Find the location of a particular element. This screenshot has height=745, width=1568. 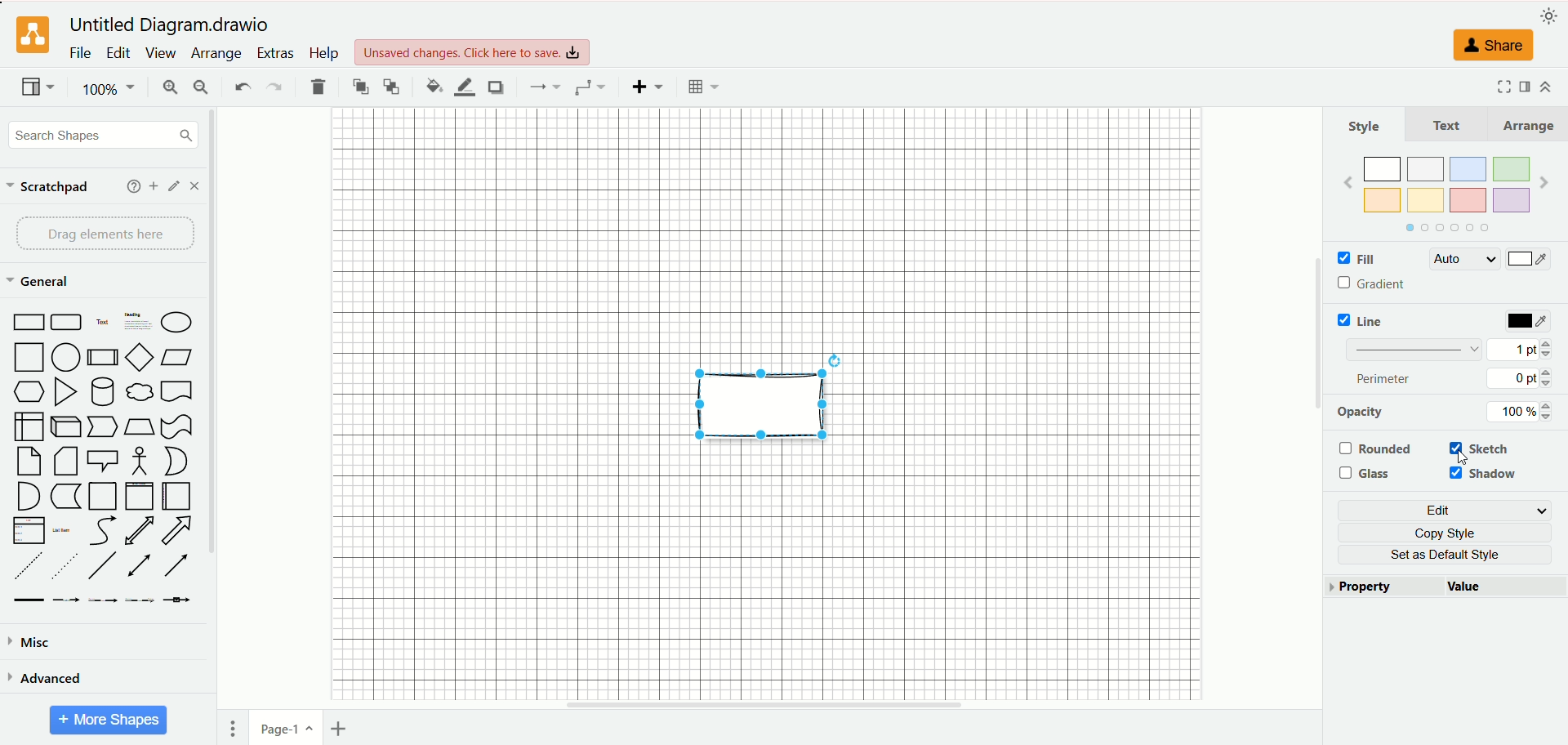

value is located at coordinates (1505, 588).